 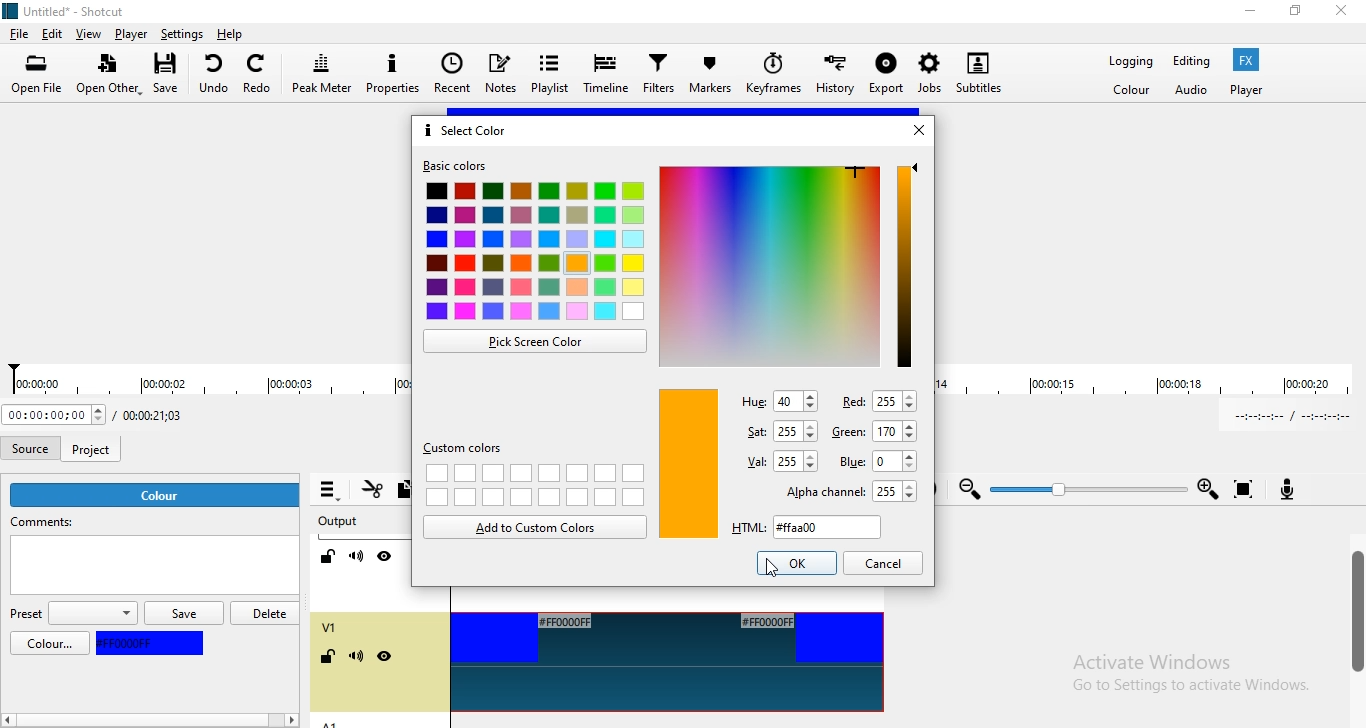 I want to click on Logging, so click(x=1125, y=61).